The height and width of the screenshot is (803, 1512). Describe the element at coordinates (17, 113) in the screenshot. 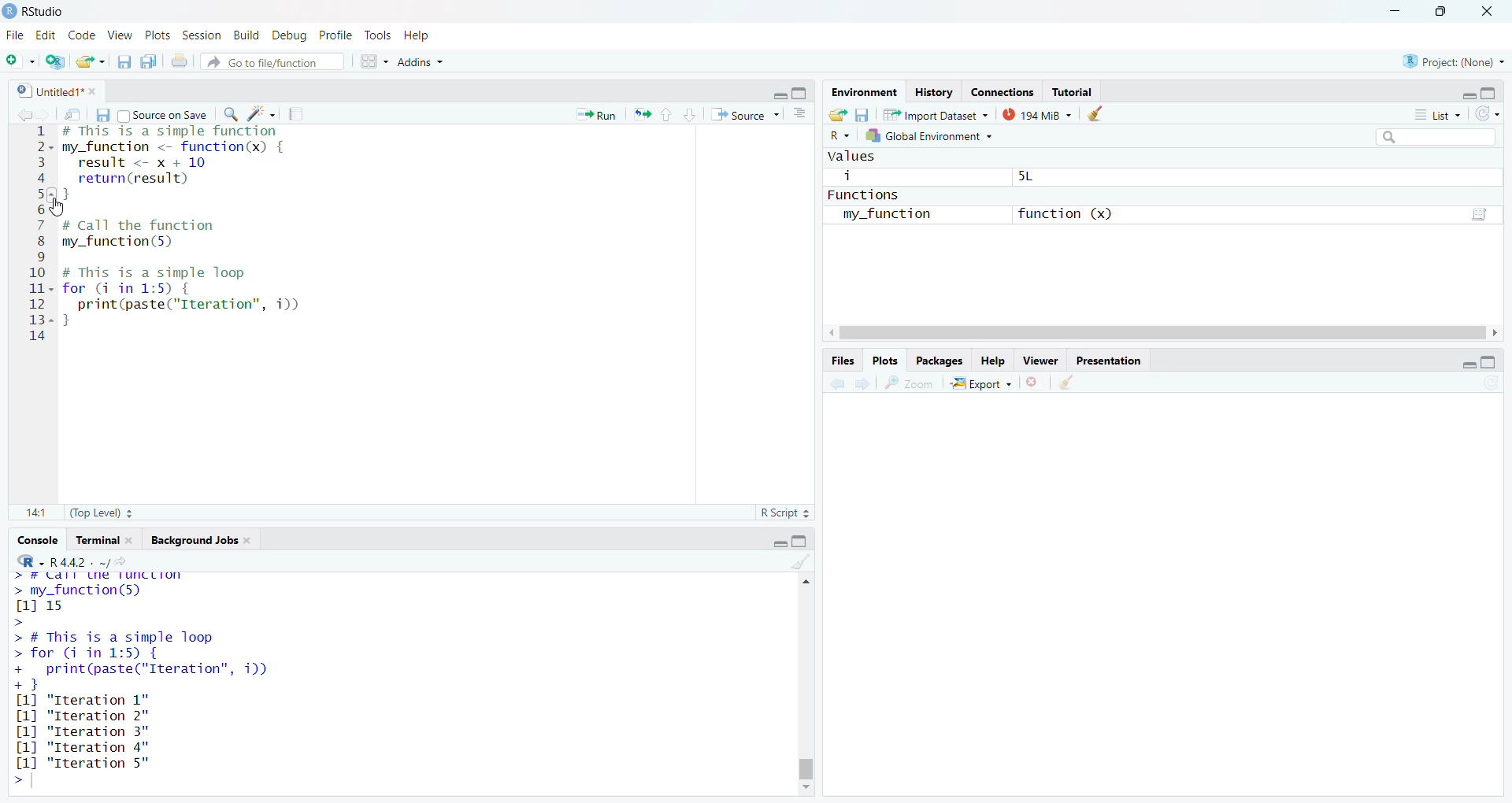

I see `go back to previous source location` at that location.